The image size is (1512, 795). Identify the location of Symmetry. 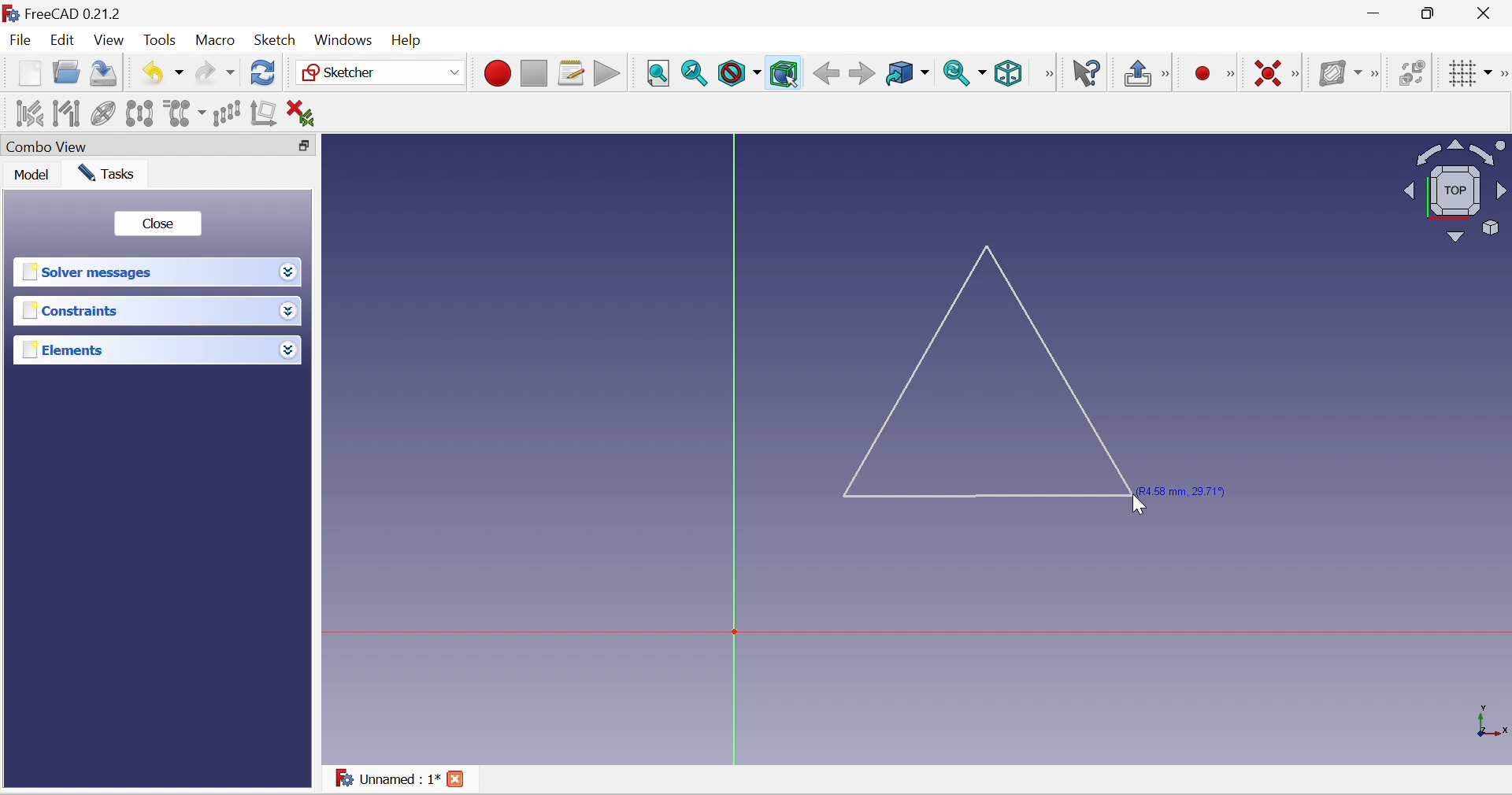
(139, 113).